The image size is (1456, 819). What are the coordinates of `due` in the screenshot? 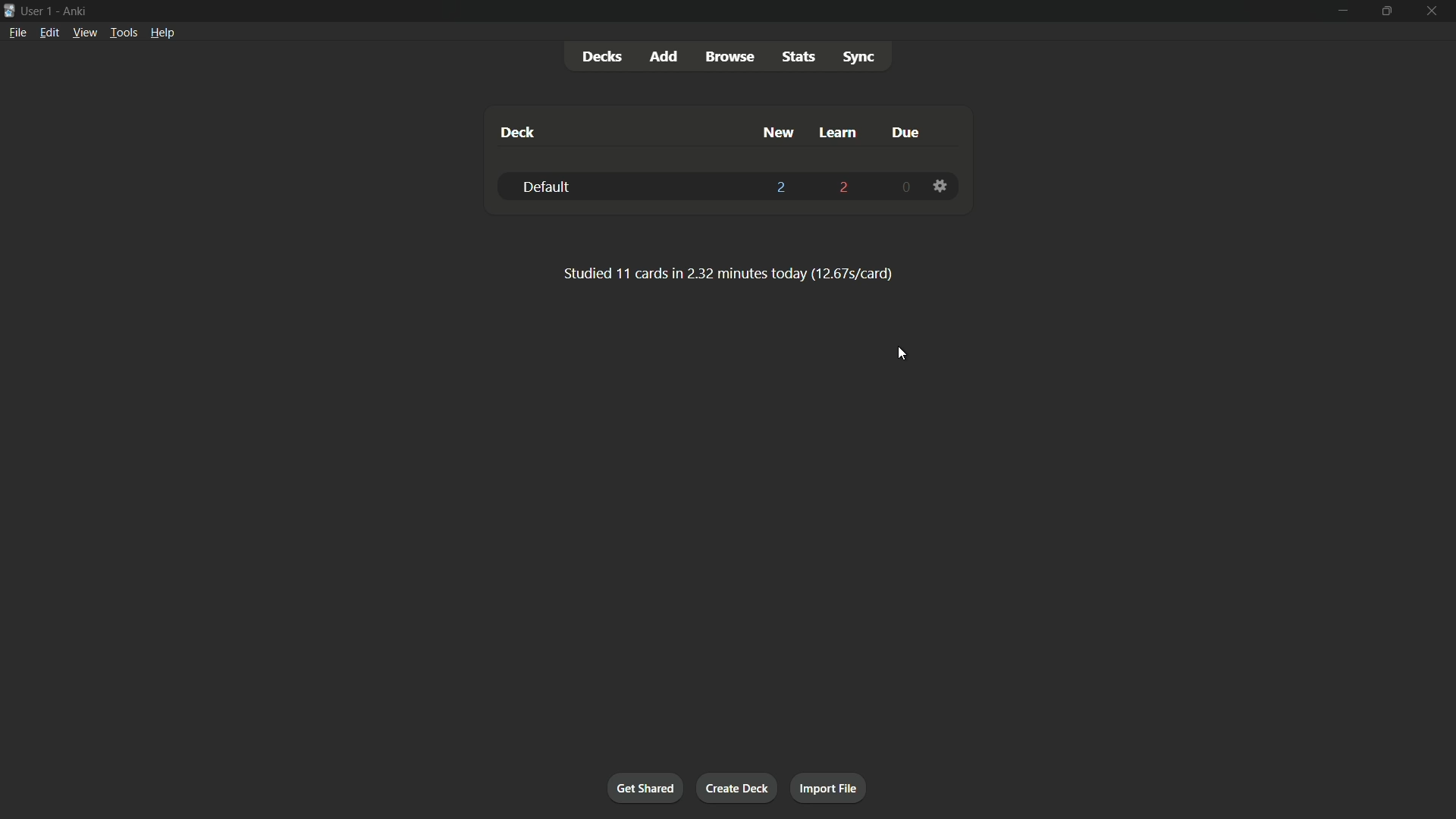 It's located at (908, 131).